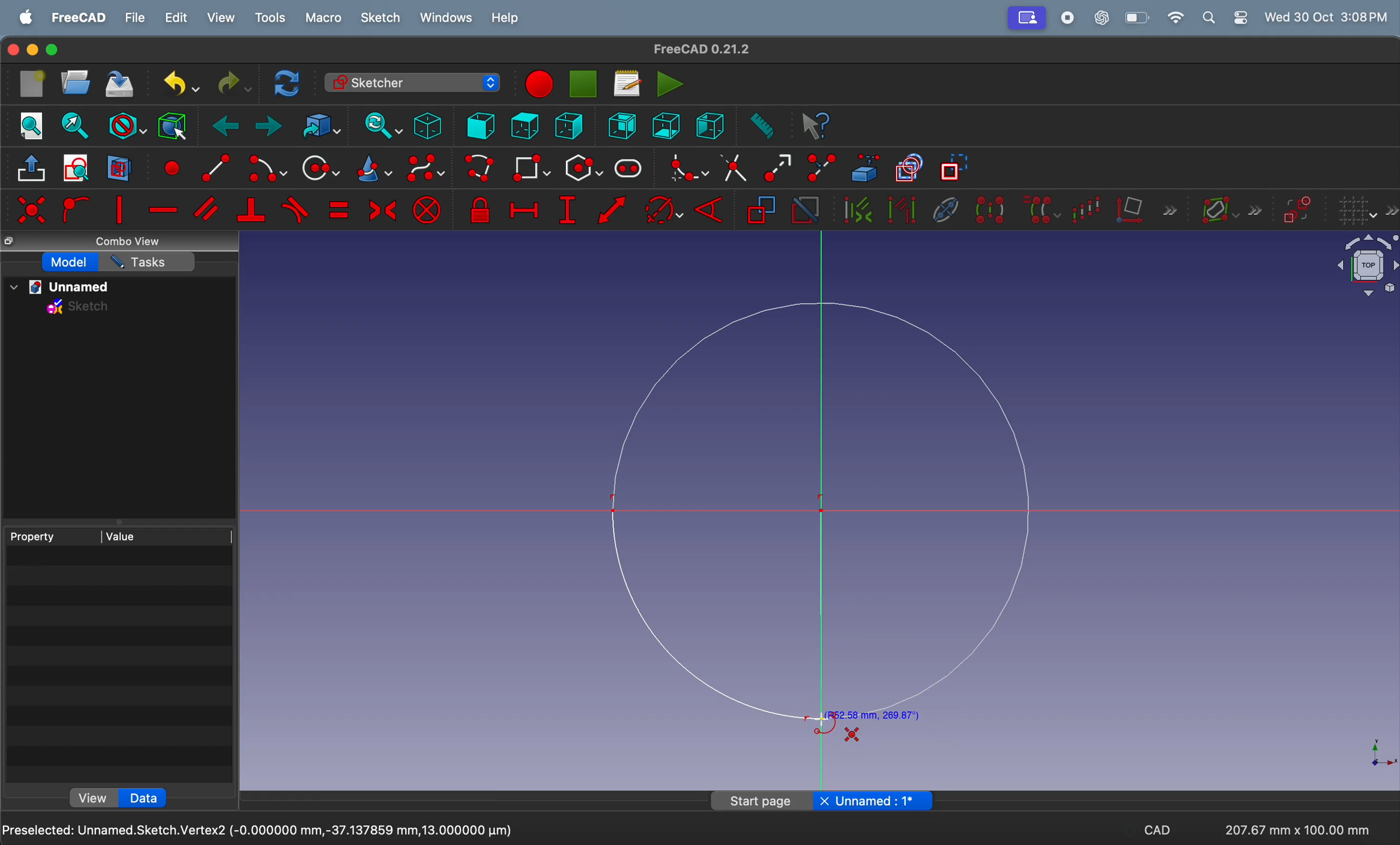  Describe the element at coordinates (69, 262) in the screenshot. I see `model task` at that location.